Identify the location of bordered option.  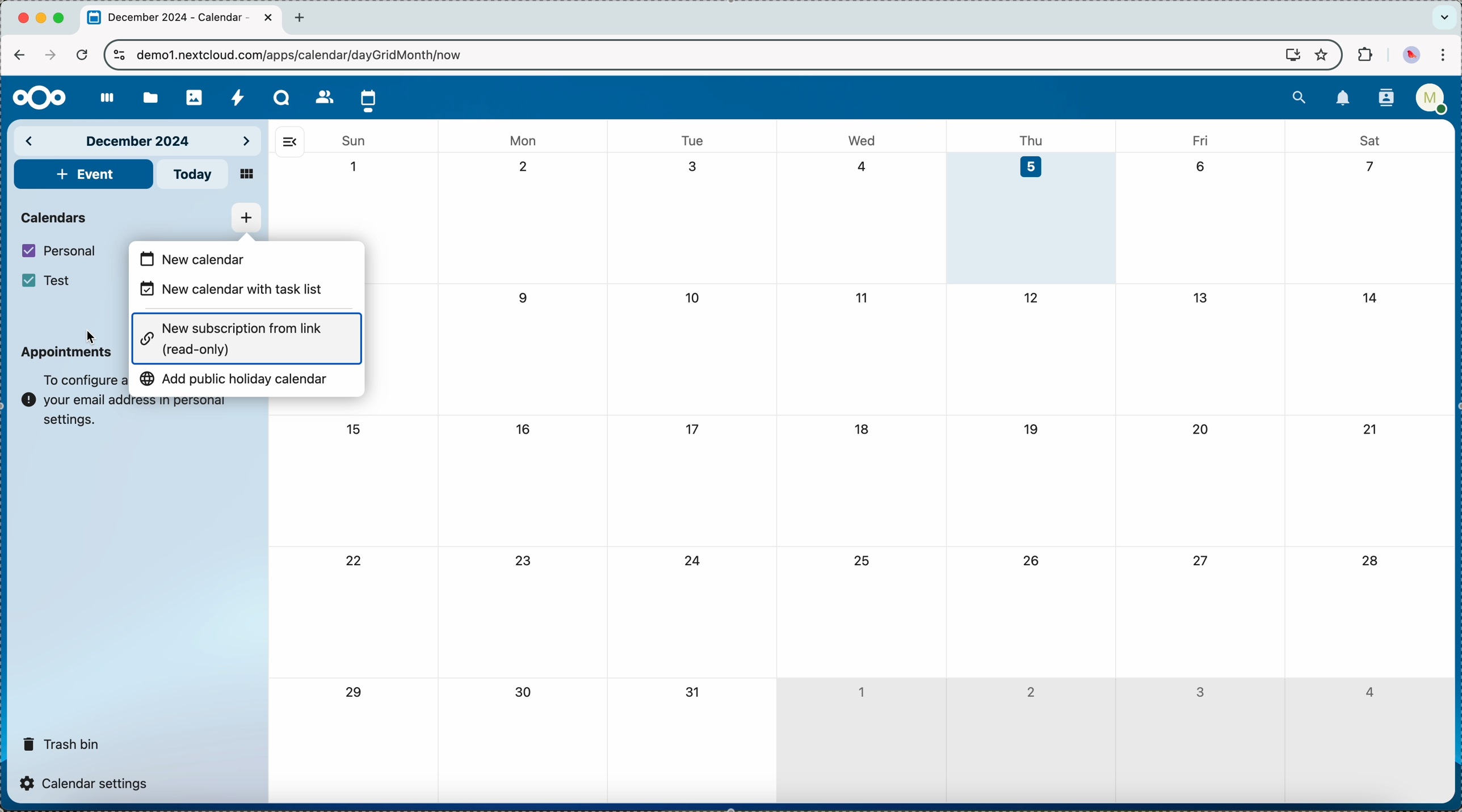
(247, 338).